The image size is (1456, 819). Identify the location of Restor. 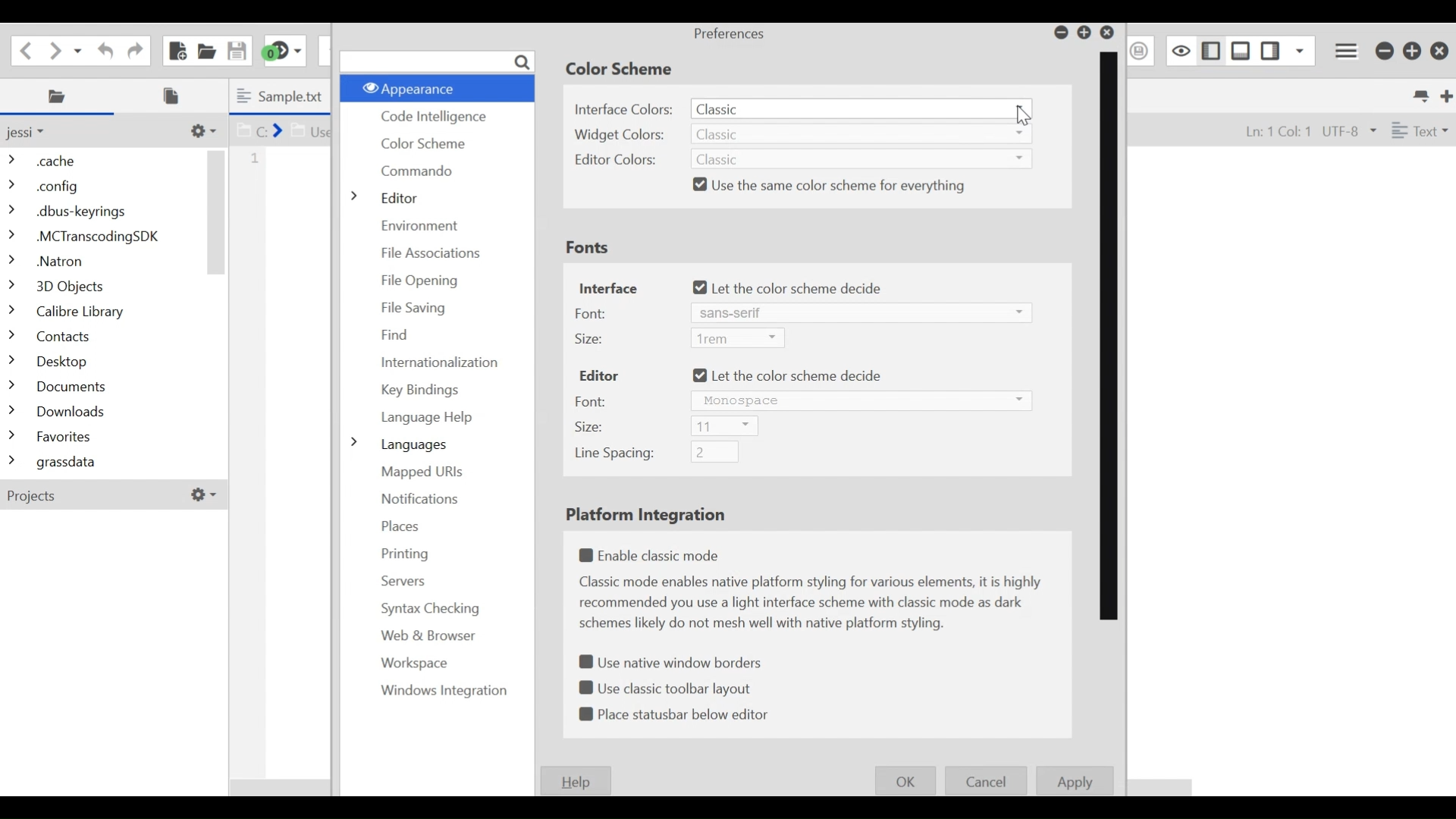
(1084, 33).